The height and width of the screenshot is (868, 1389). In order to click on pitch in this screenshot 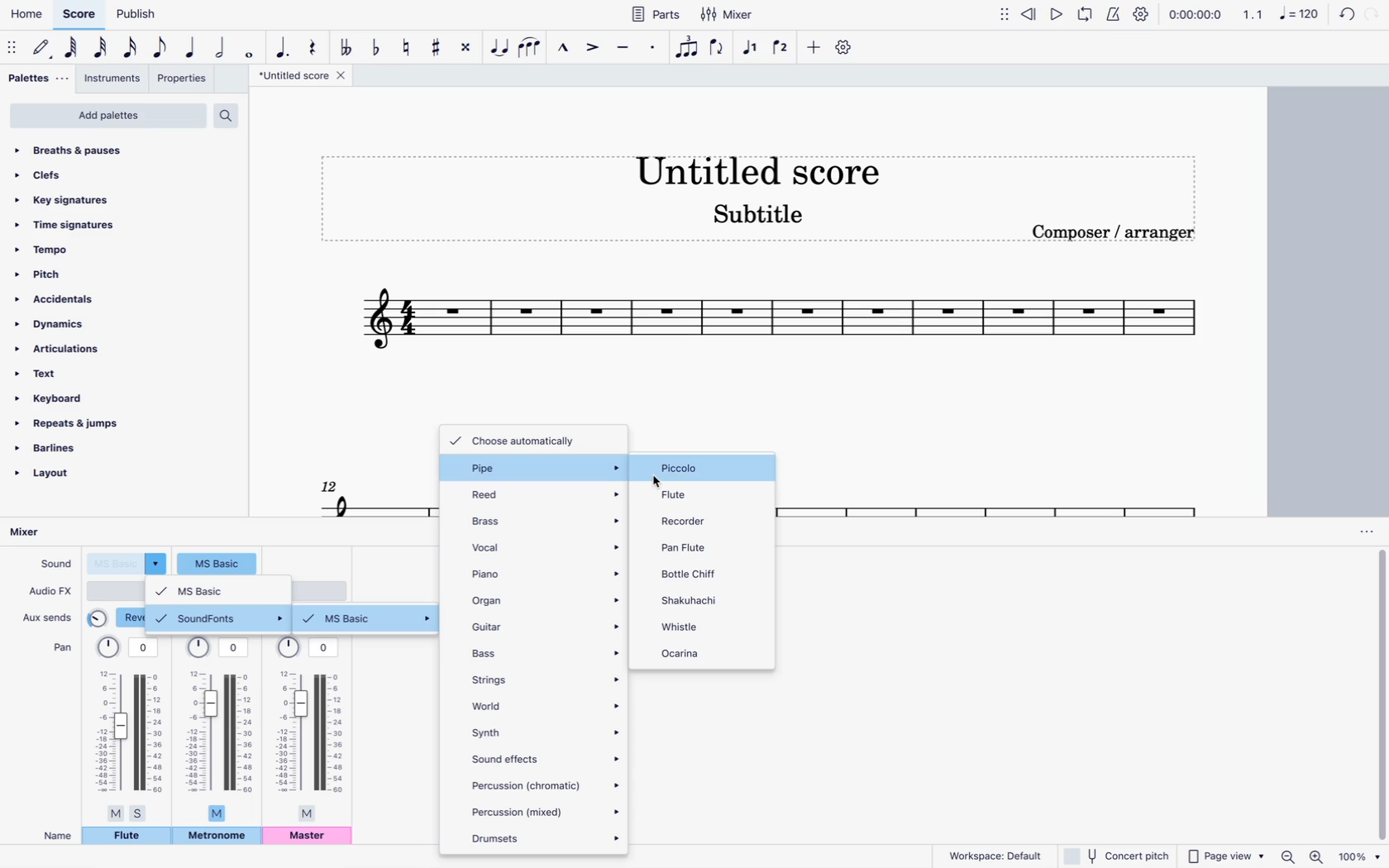, I will do `click(76, 273)`.